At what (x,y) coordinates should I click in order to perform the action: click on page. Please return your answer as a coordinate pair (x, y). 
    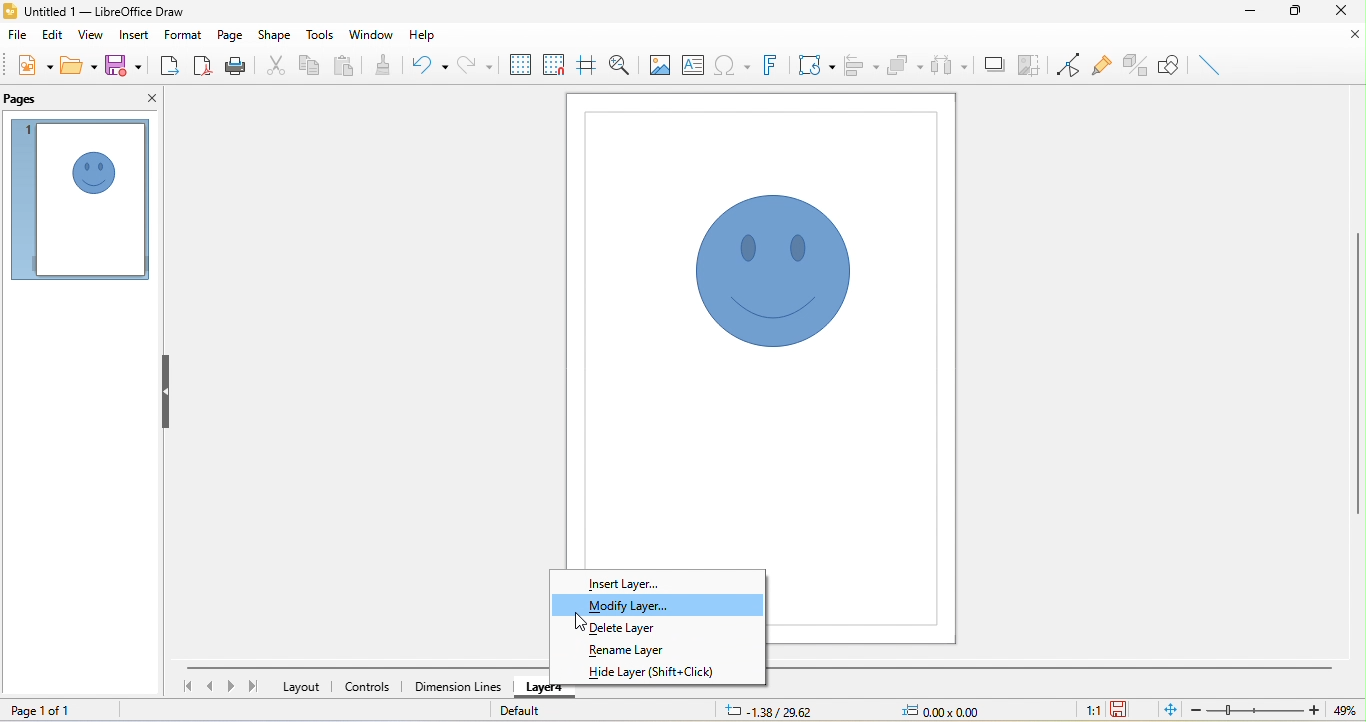
    Looking at the image, I should click on (229, 36).